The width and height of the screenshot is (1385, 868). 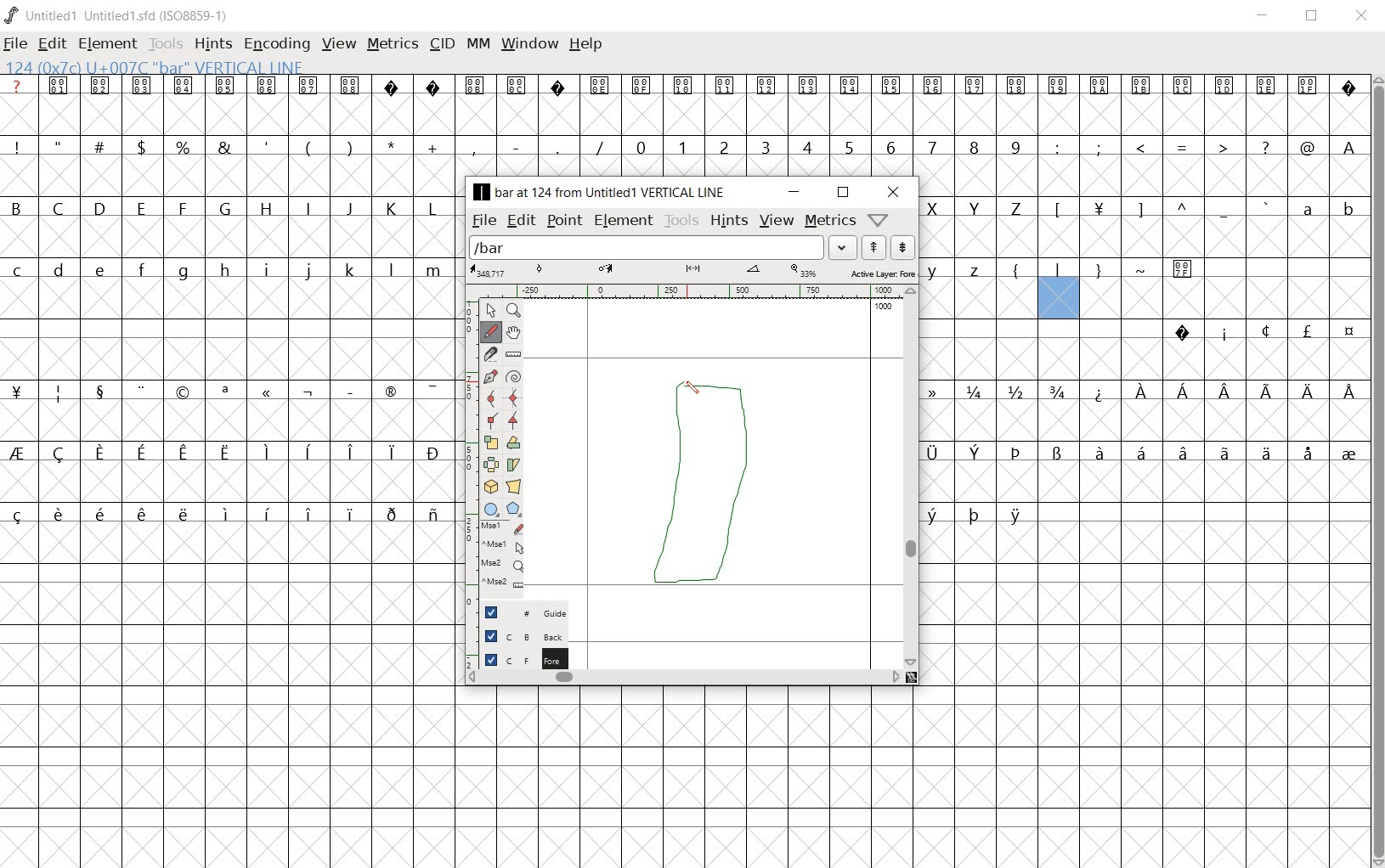 What do you see at coordinates (489, 397) in the screenshot?
I see `add a curve point` at bounding box center [489, 397].